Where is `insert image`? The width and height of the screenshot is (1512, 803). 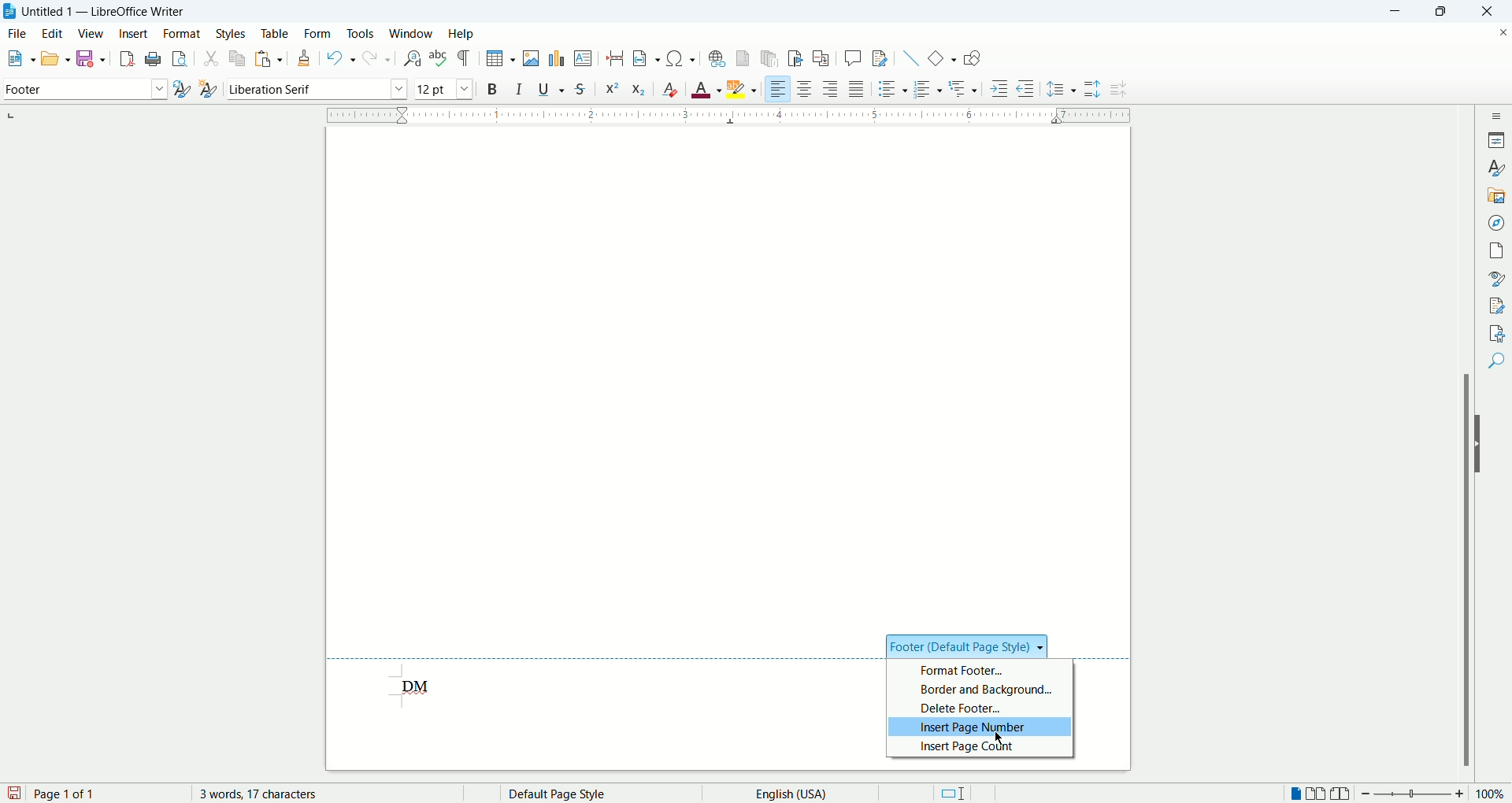
insert image is located at coordinates (534, 58).